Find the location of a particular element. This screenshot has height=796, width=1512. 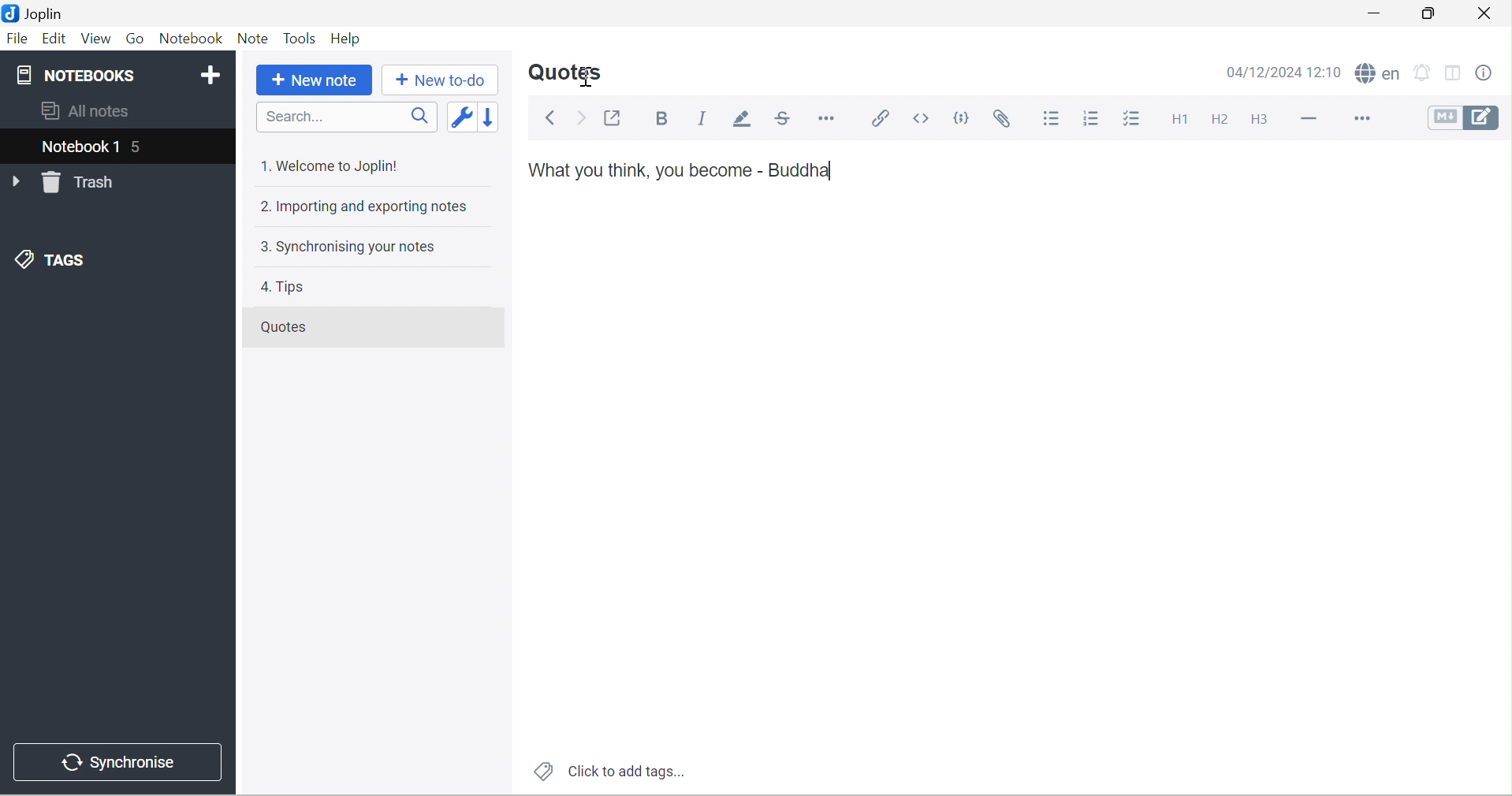

Toggle editor layout is located at coordinates (1456, 71).